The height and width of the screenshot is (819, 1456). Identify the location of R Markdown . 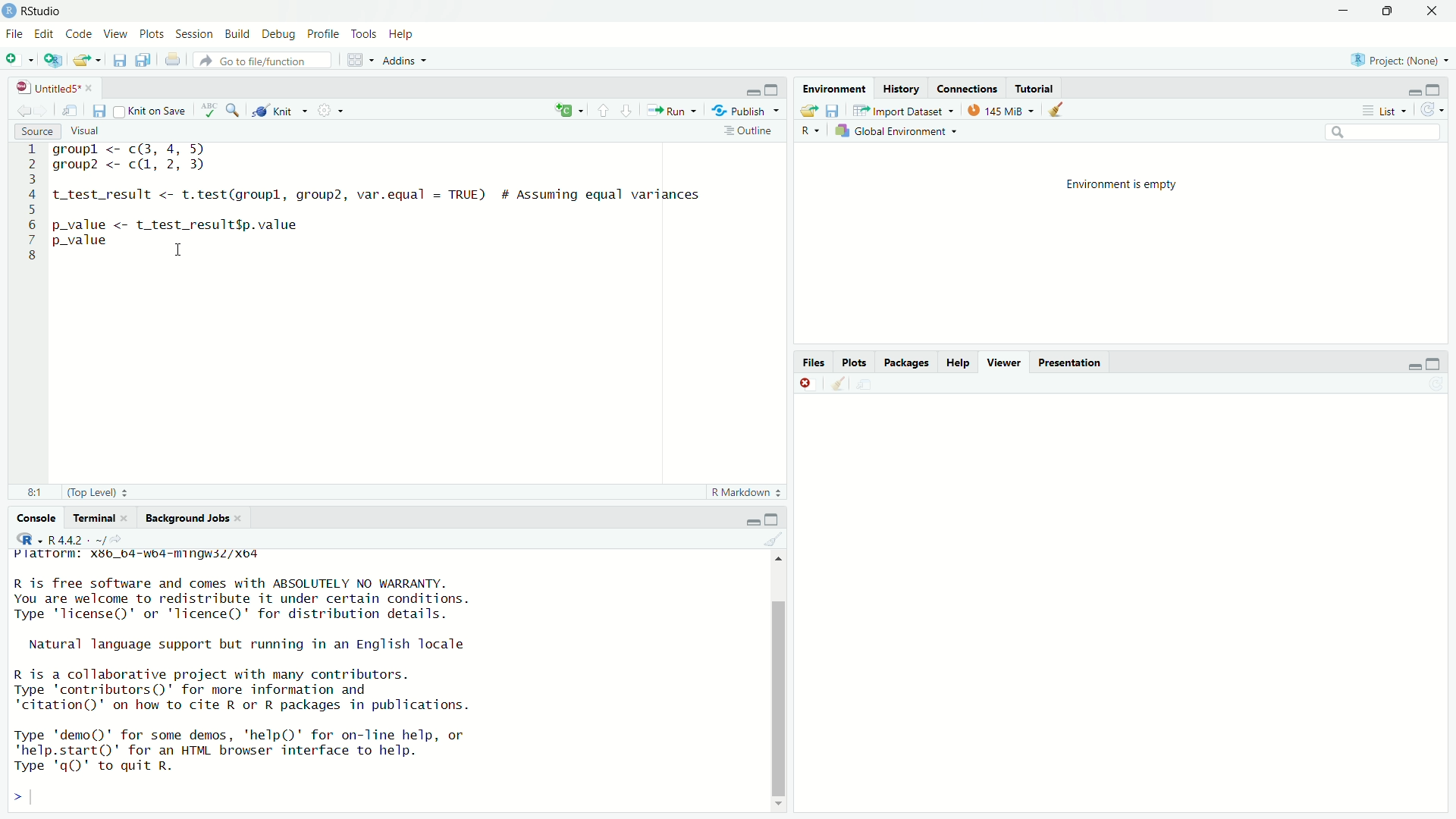
(745, 493).